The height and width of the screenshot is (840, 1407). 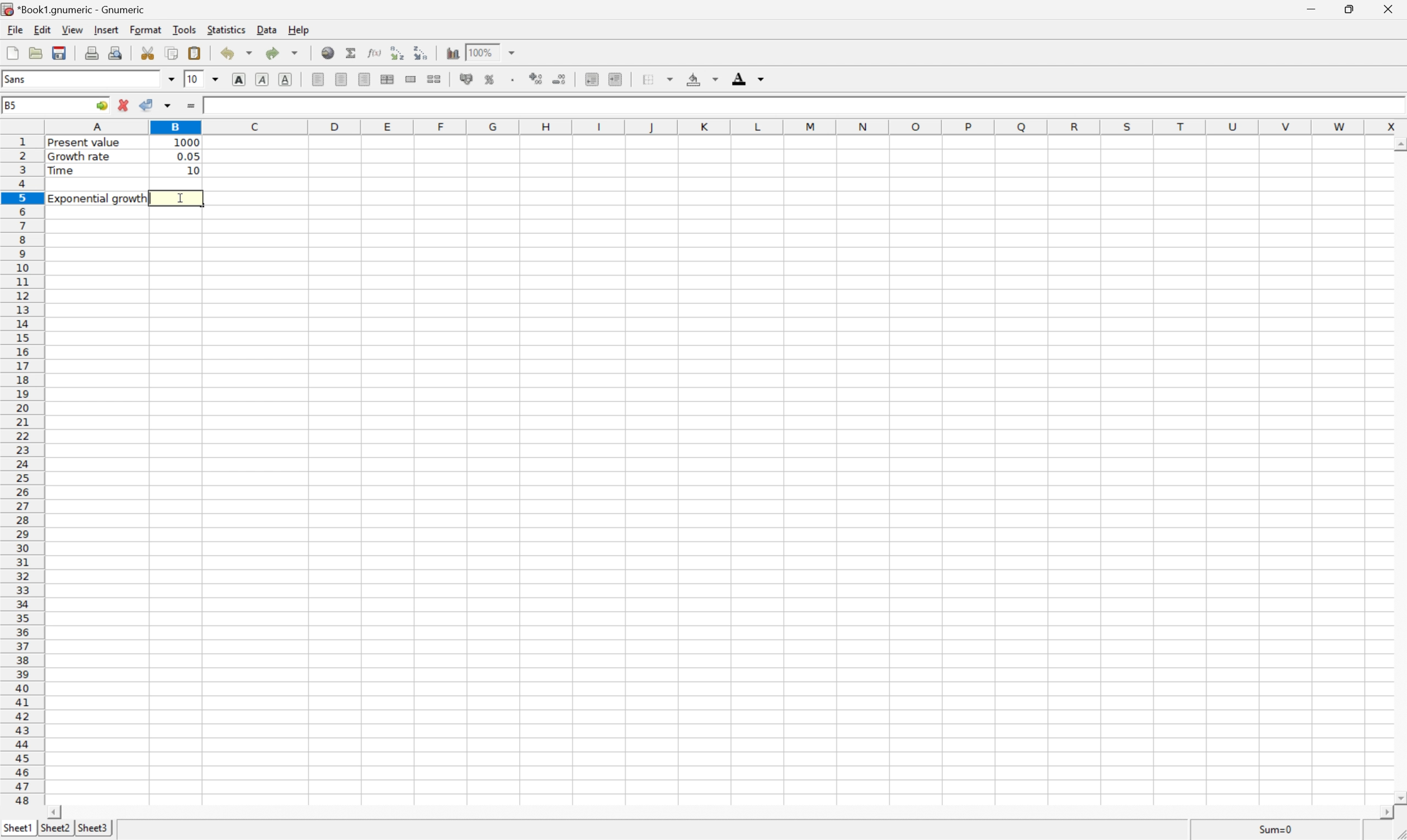 What do you see at coordinates (171, 80) in the screenshot?
I see `Drop Down` at bounding box center [171, 80].